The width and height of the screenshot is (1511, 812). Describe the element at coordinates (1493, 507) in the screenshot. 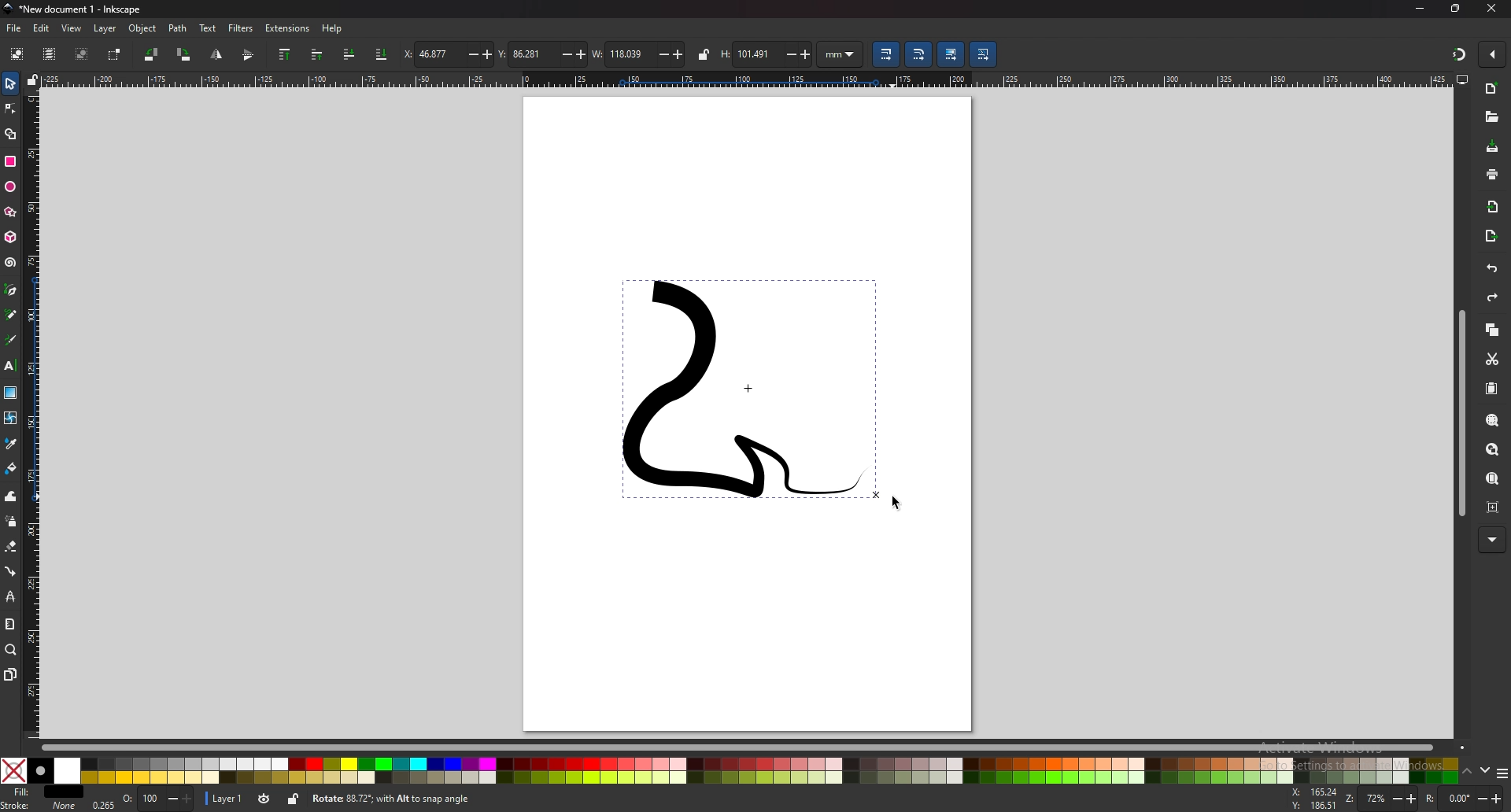

I see `zoom centre page` at that location.